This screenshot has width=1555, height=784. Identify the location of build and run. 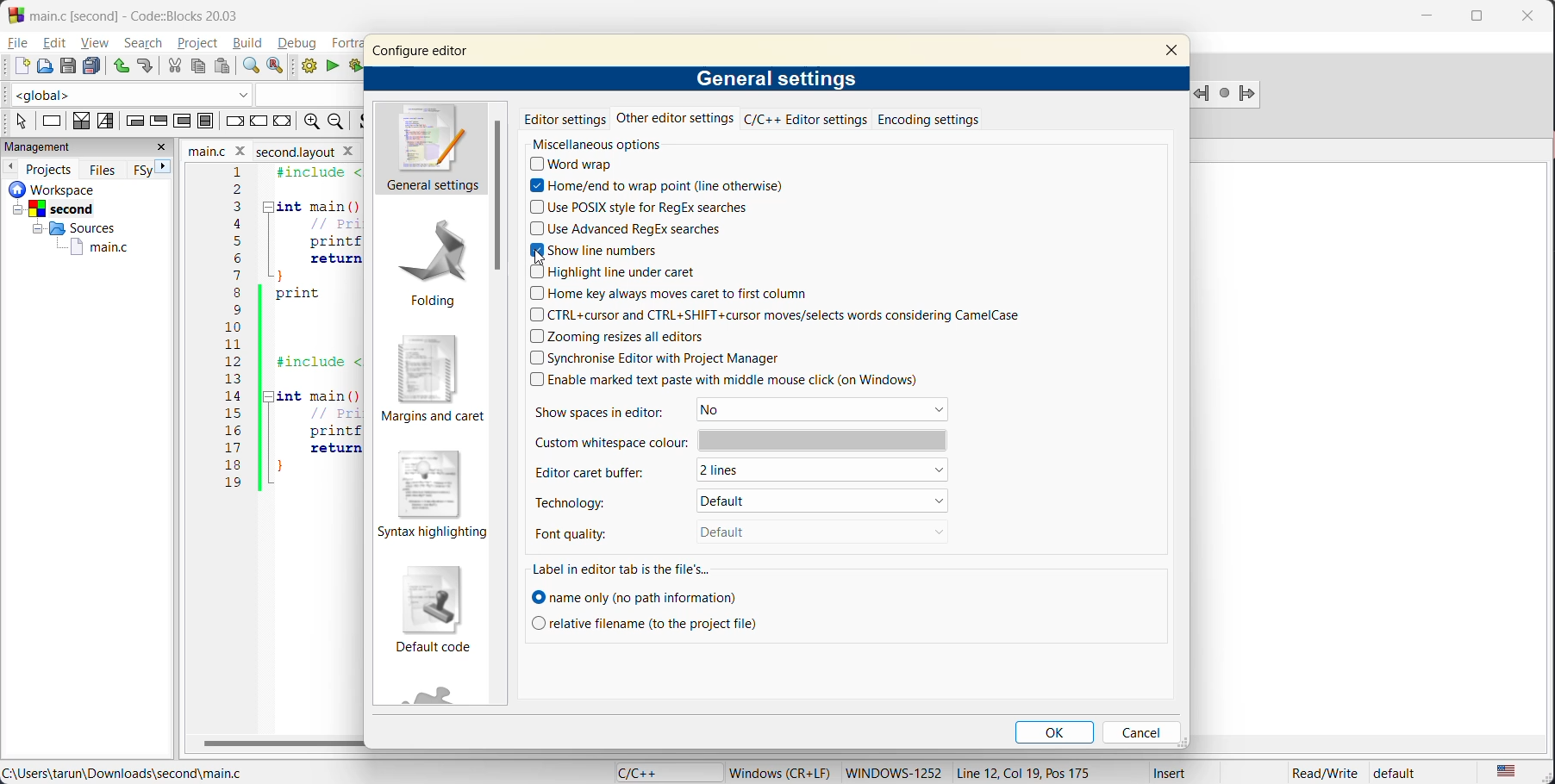
(356, 65).